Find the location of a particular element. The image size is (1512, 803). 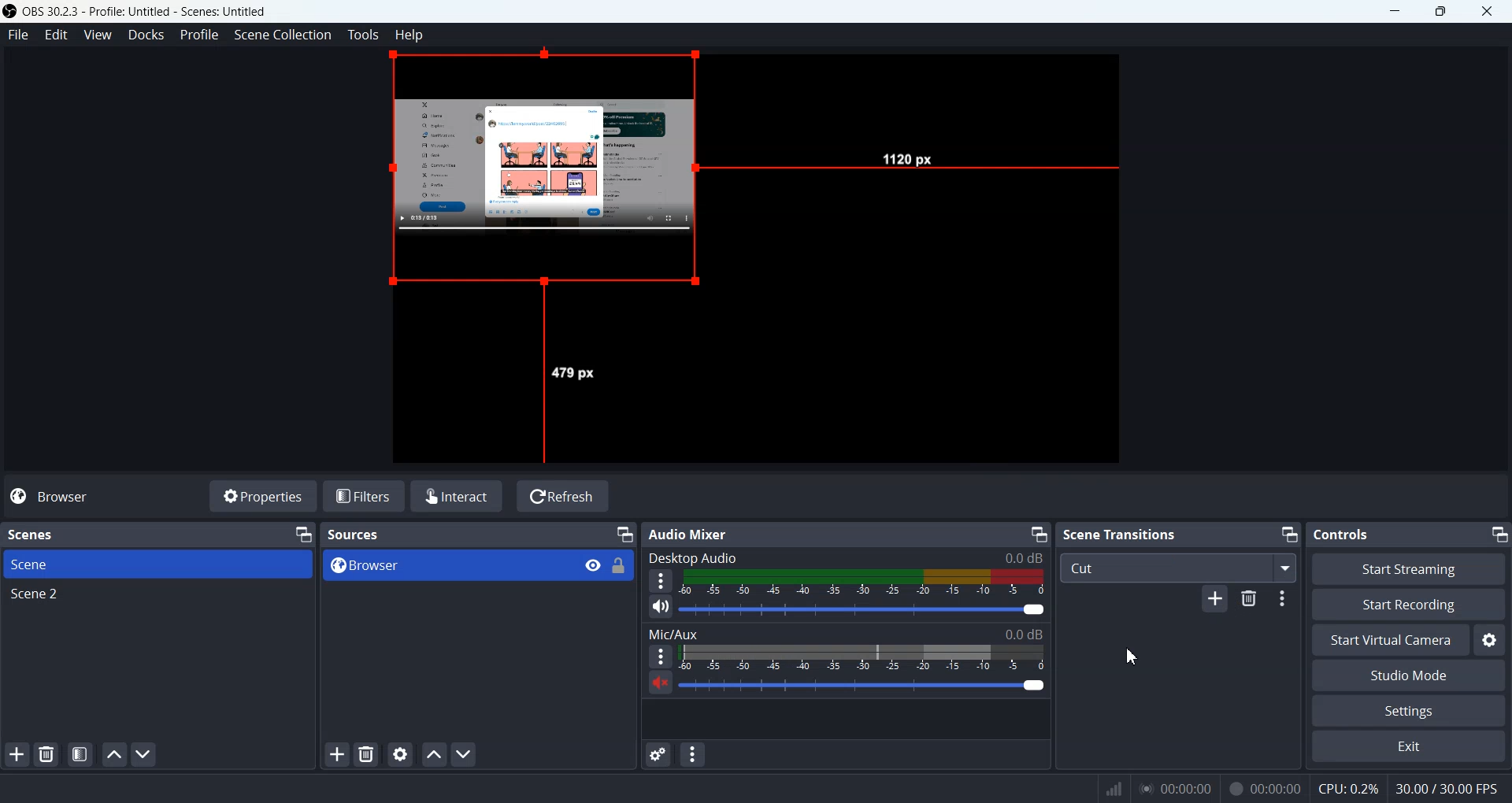

Volume Indicator is located at coordinates (861, 658).